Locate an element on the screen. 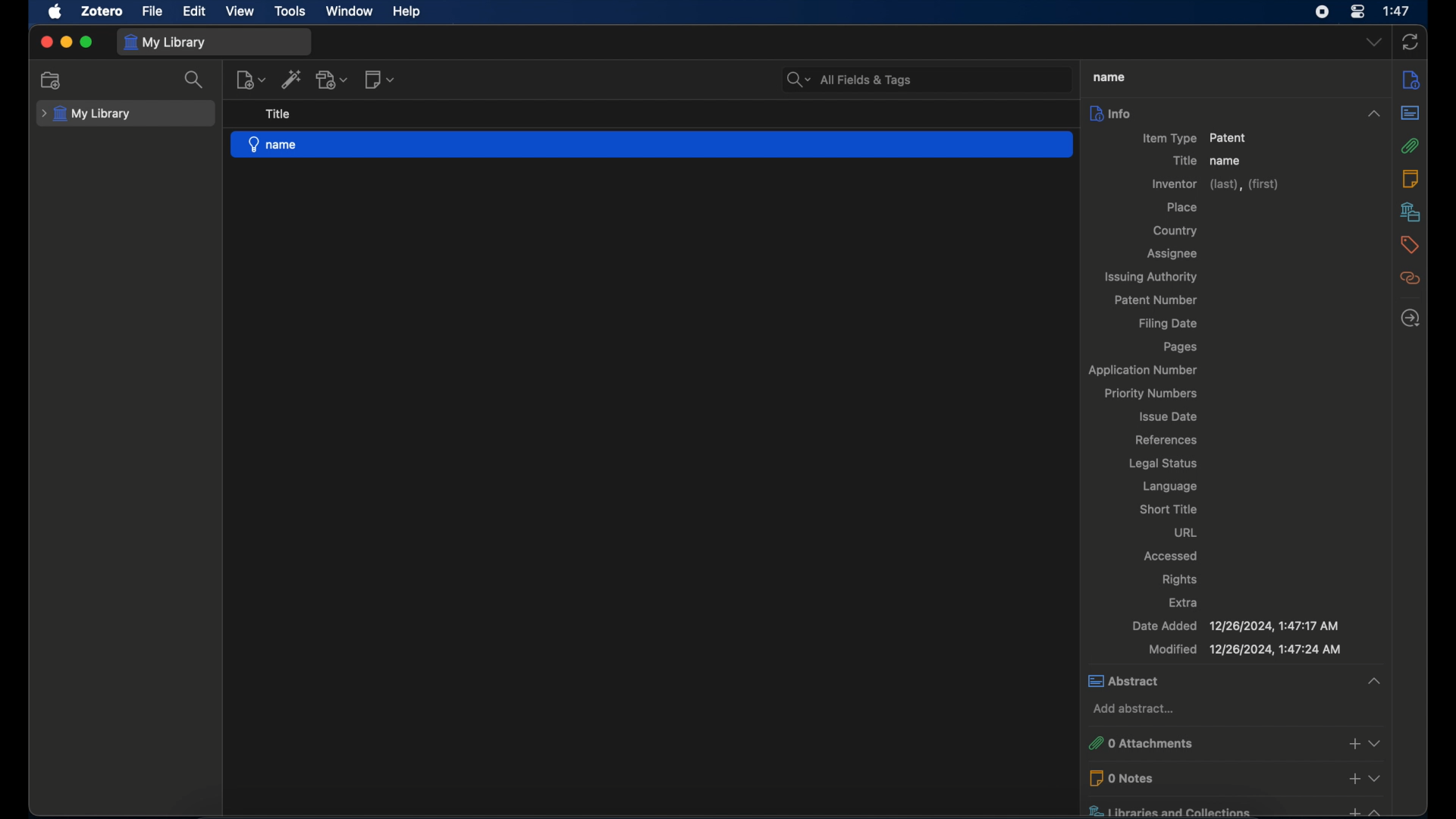 The image size is (1456, 819). apple is located at coordinates (54, 11).